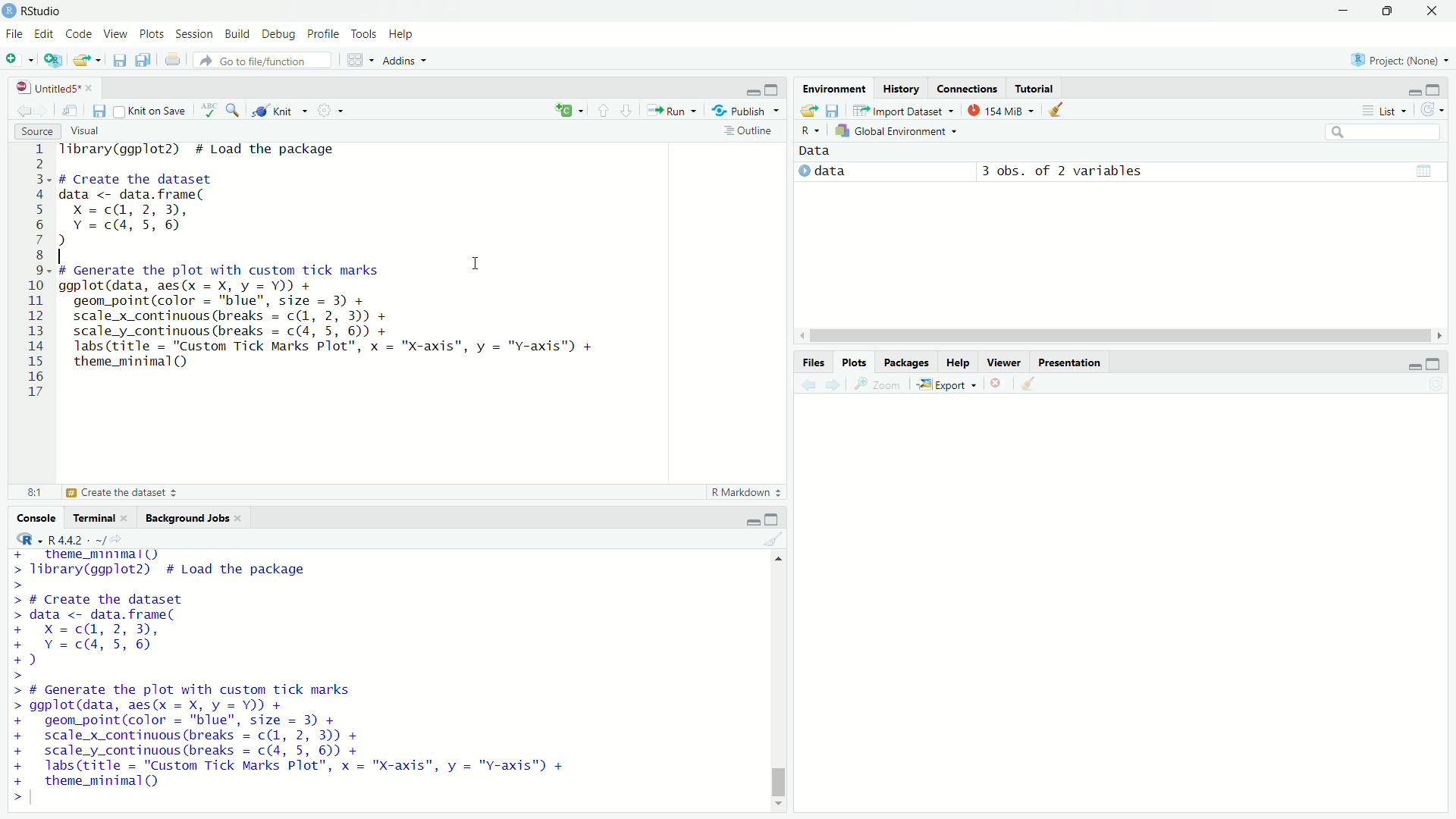 The width and height of the screenshot is (1456, 819). What do you see at coordinates (1069, 361) in the screenshot?
I see `presentation` at bounding box center [1069, 361].